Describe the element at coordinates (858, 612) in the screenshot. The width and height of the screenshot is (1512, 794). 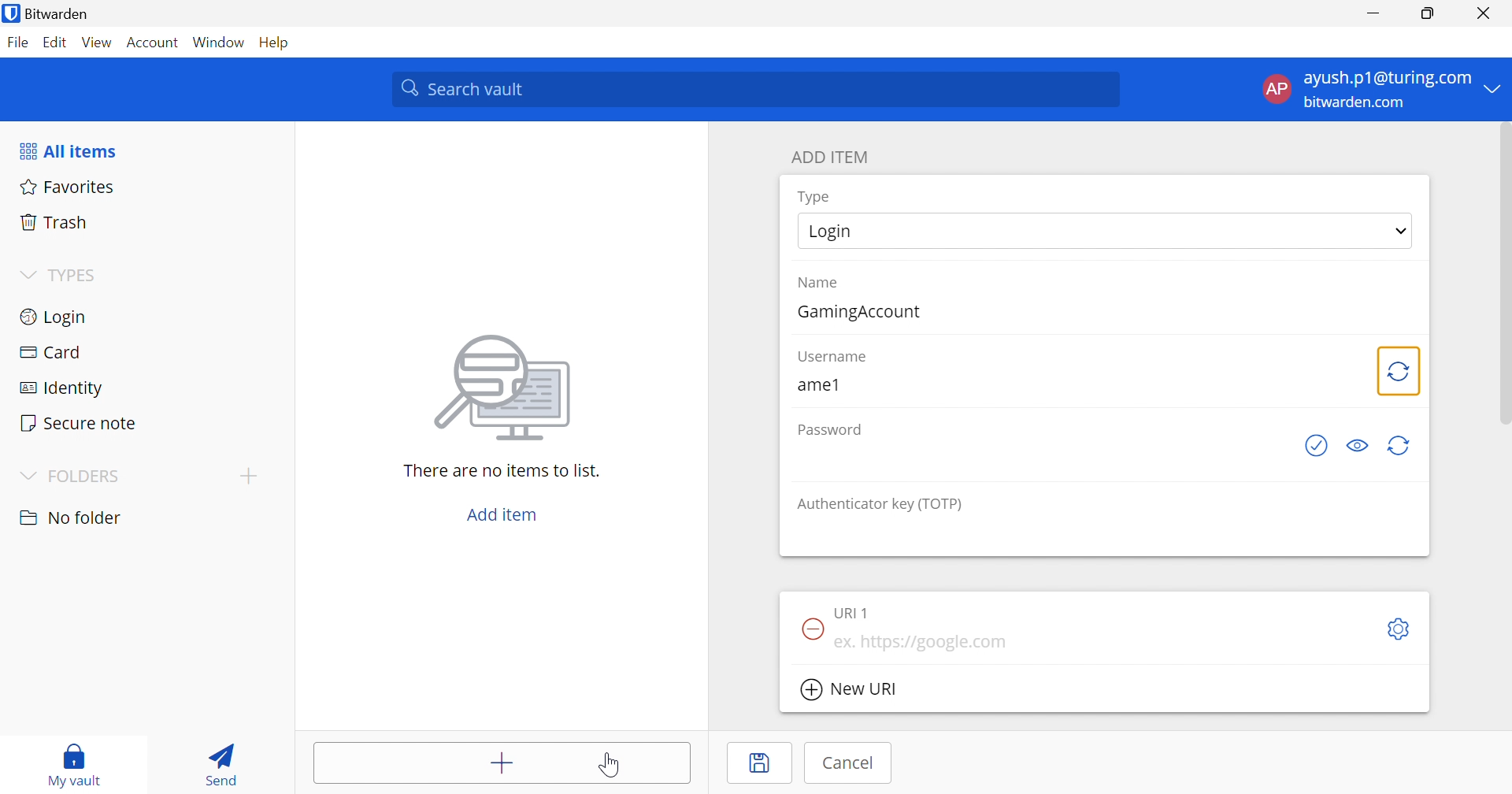
I see `URI 1` at that location.